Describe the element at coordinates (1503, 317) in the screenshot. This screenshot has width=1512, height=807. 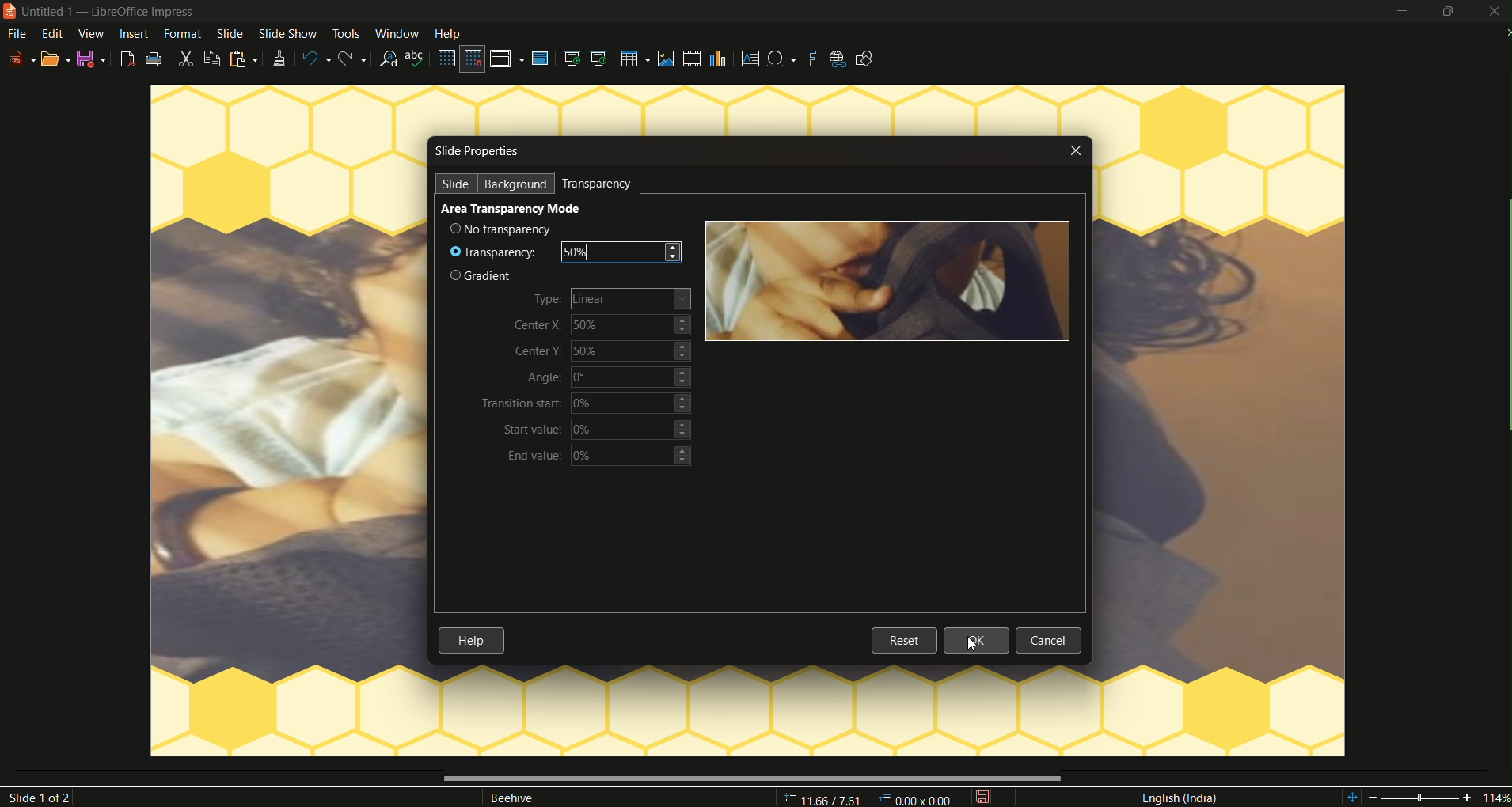
I see `scrollbar` at that location.